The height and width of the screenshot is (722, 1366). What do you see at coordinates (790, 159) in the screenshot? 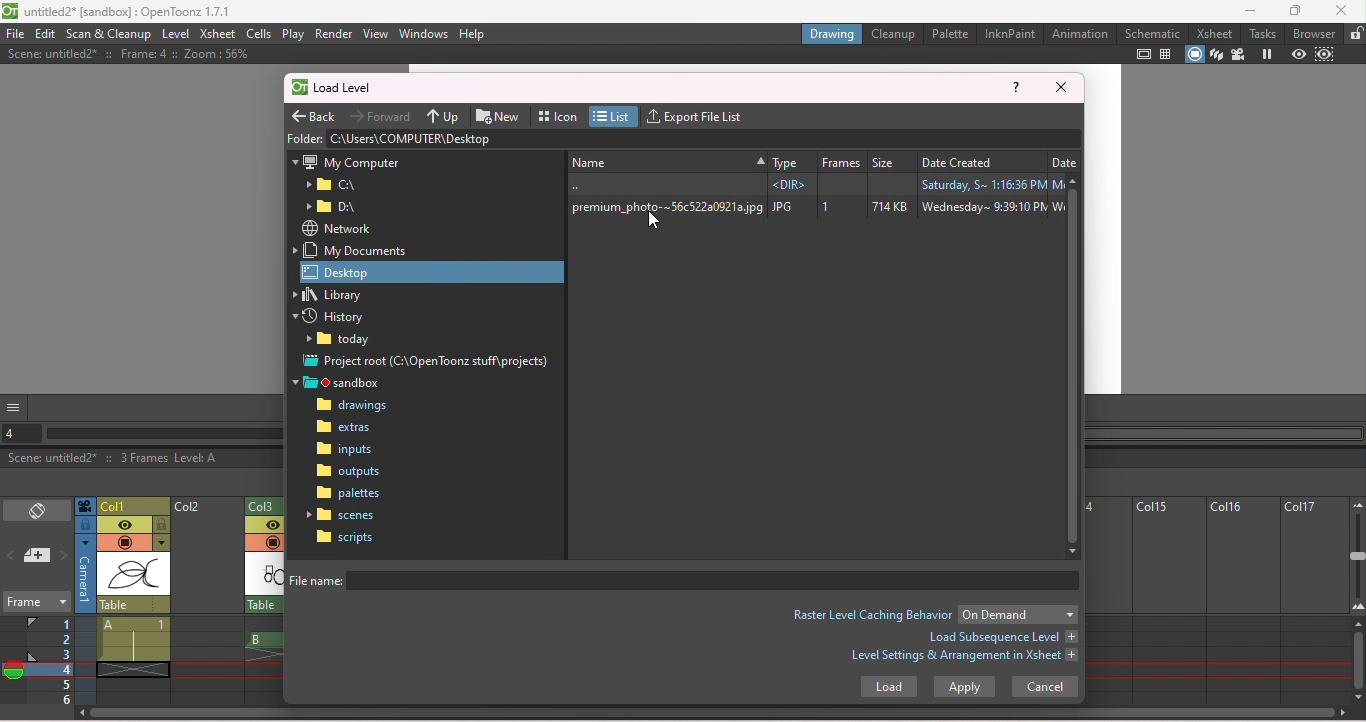
I see `Type` at bounding box center [790, 159].